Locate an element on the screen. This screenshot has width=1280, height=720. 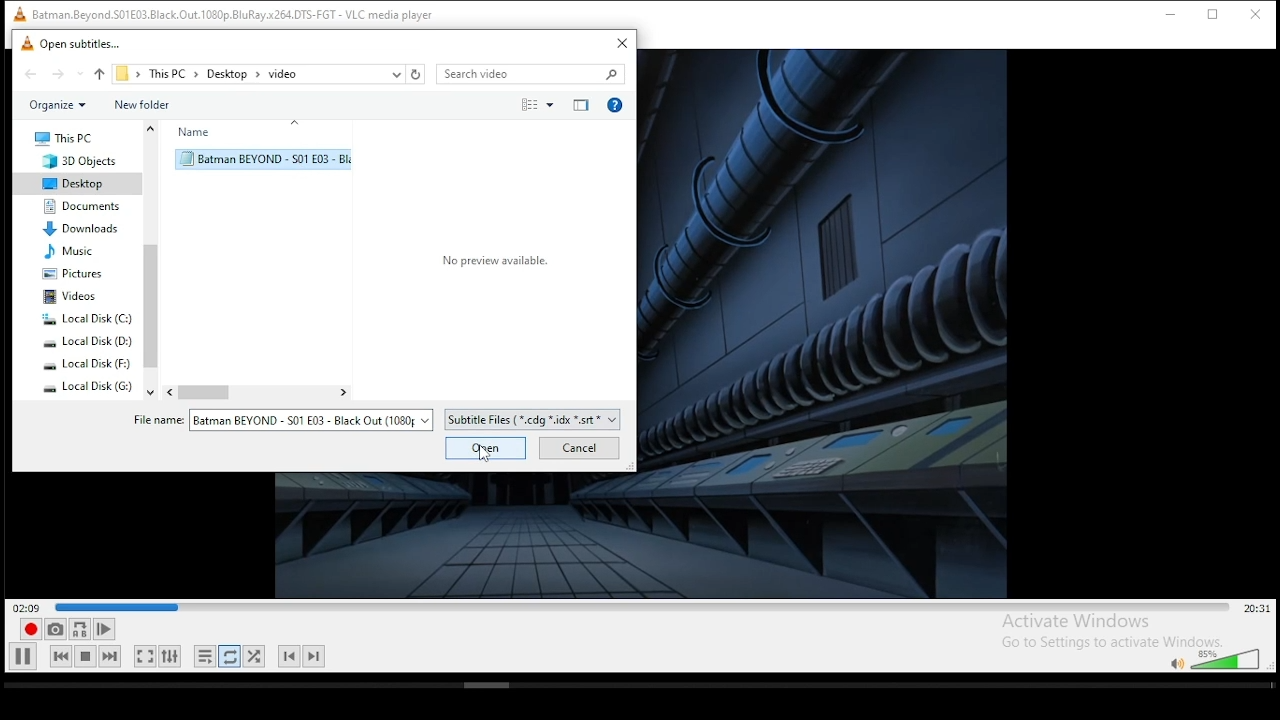
open is located at coordinates (486, 447).